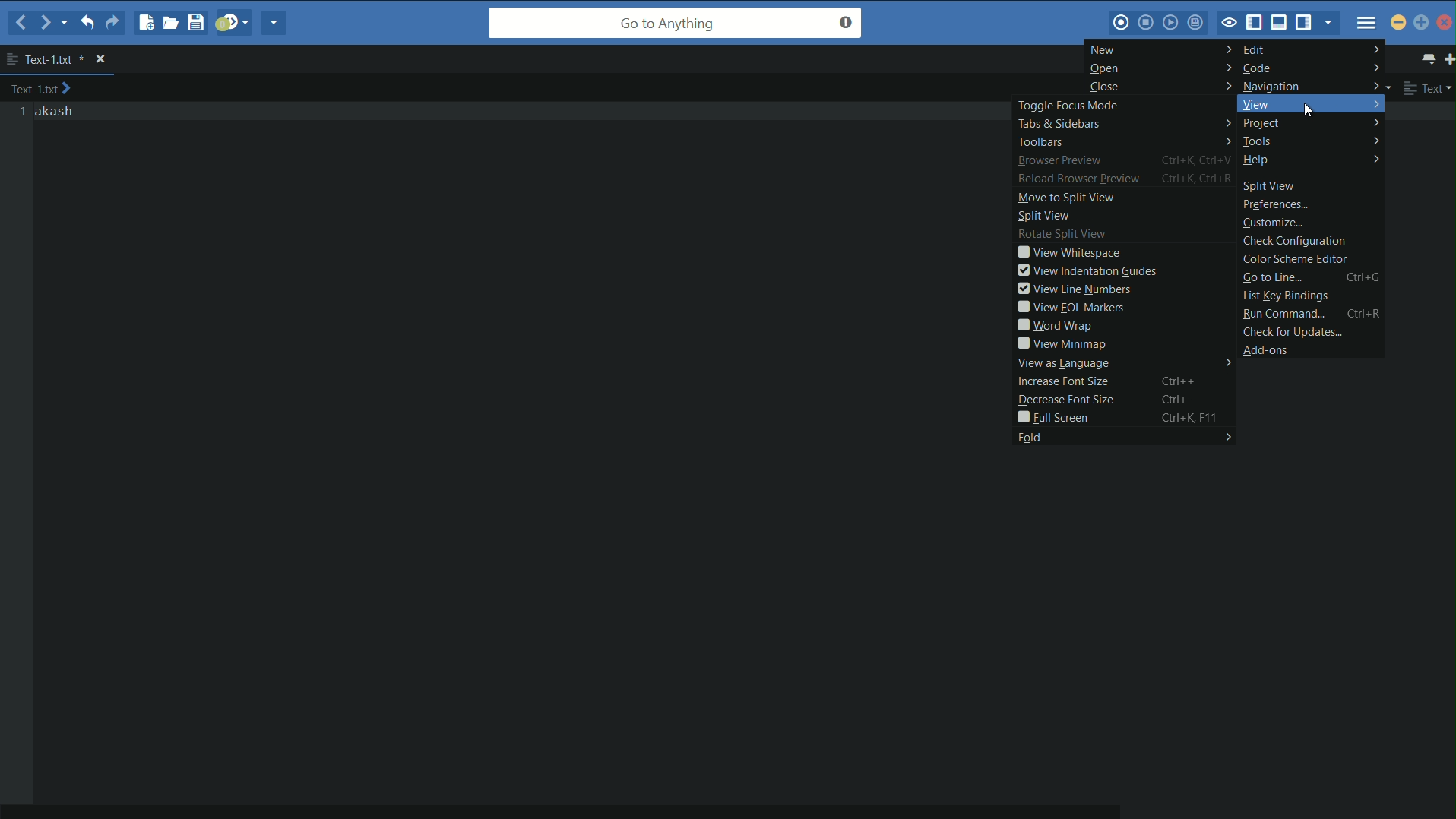 The width and height of the screenshot is (1456, 819). Describe the element at coordinates (1315, 349) in the screenshot. I see `add ons` at that location.